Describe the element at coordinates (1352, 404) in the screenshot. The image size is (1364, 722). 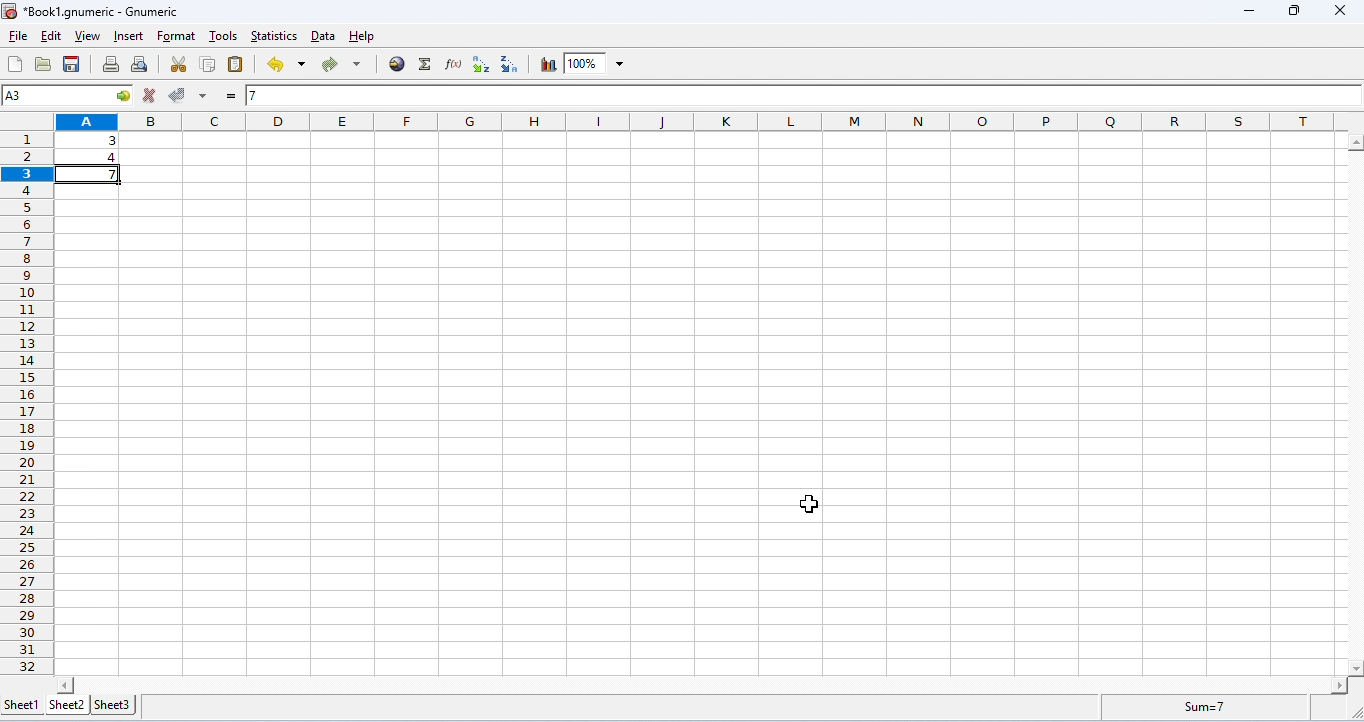
I see `space for vertical column` at that location.